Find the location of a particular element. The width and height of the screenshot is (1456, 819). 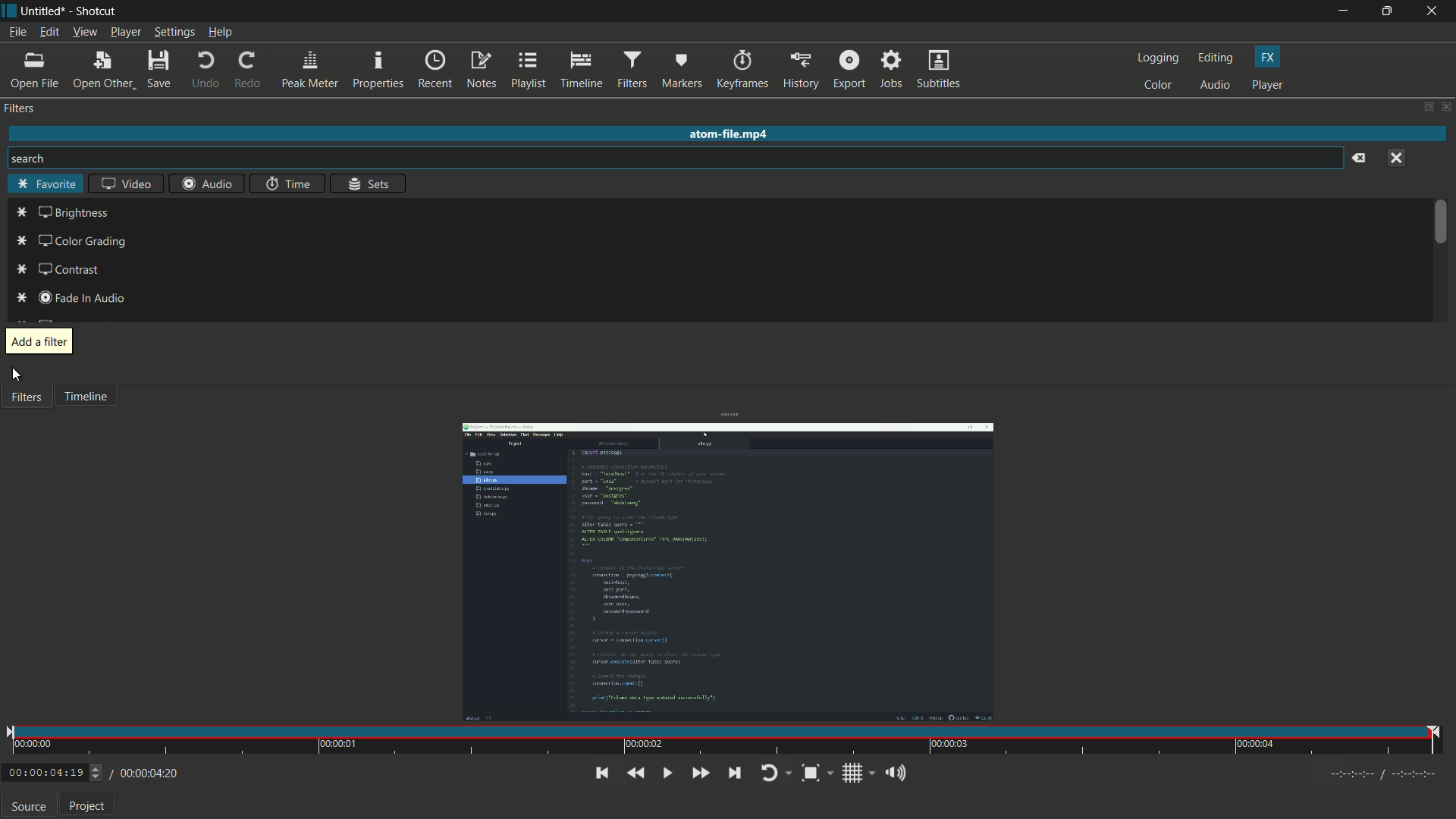

fade in audio is located at coordinates (74, 298).